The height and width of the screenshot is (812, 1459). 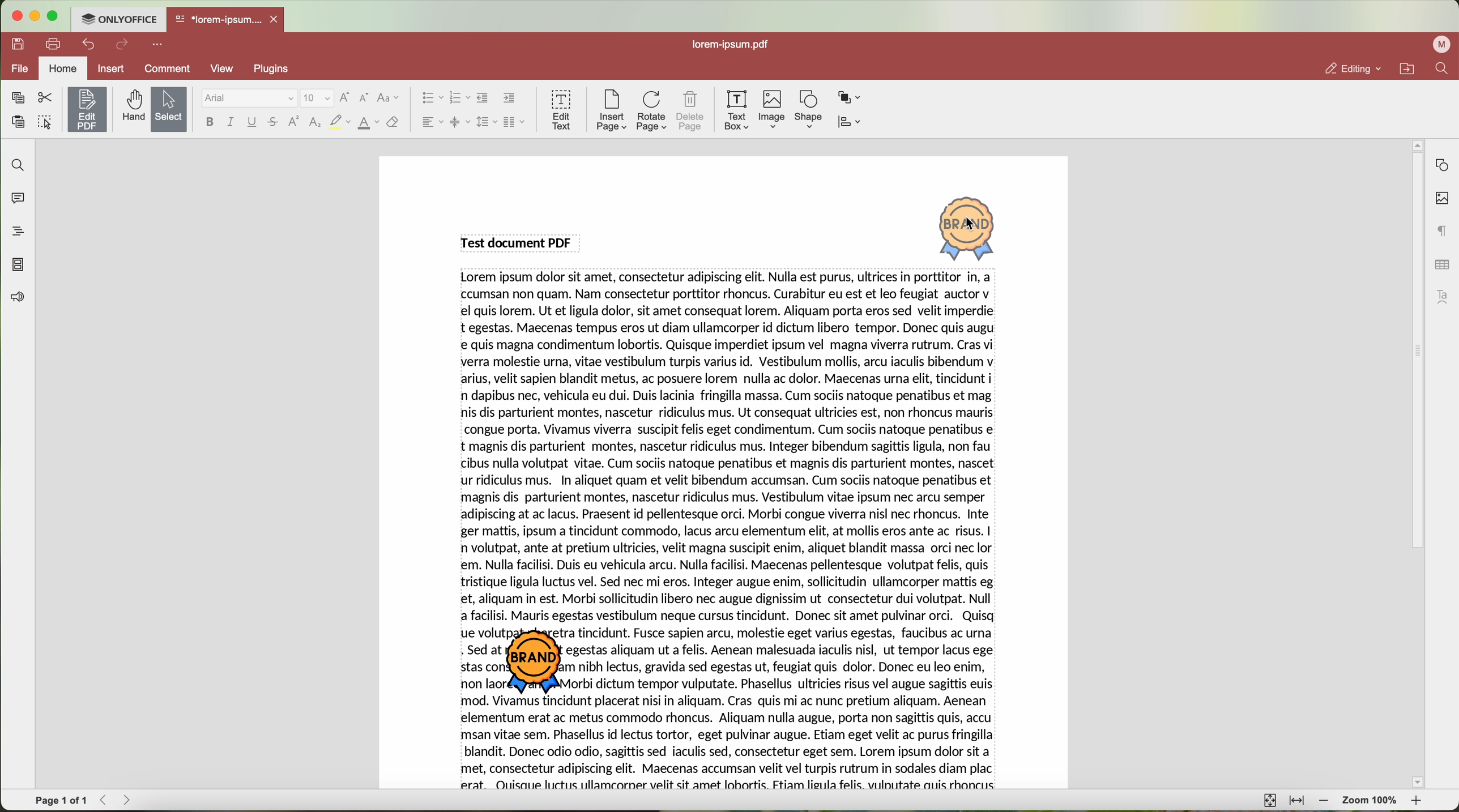 I want to click on headings, so click(x=14, y=231).